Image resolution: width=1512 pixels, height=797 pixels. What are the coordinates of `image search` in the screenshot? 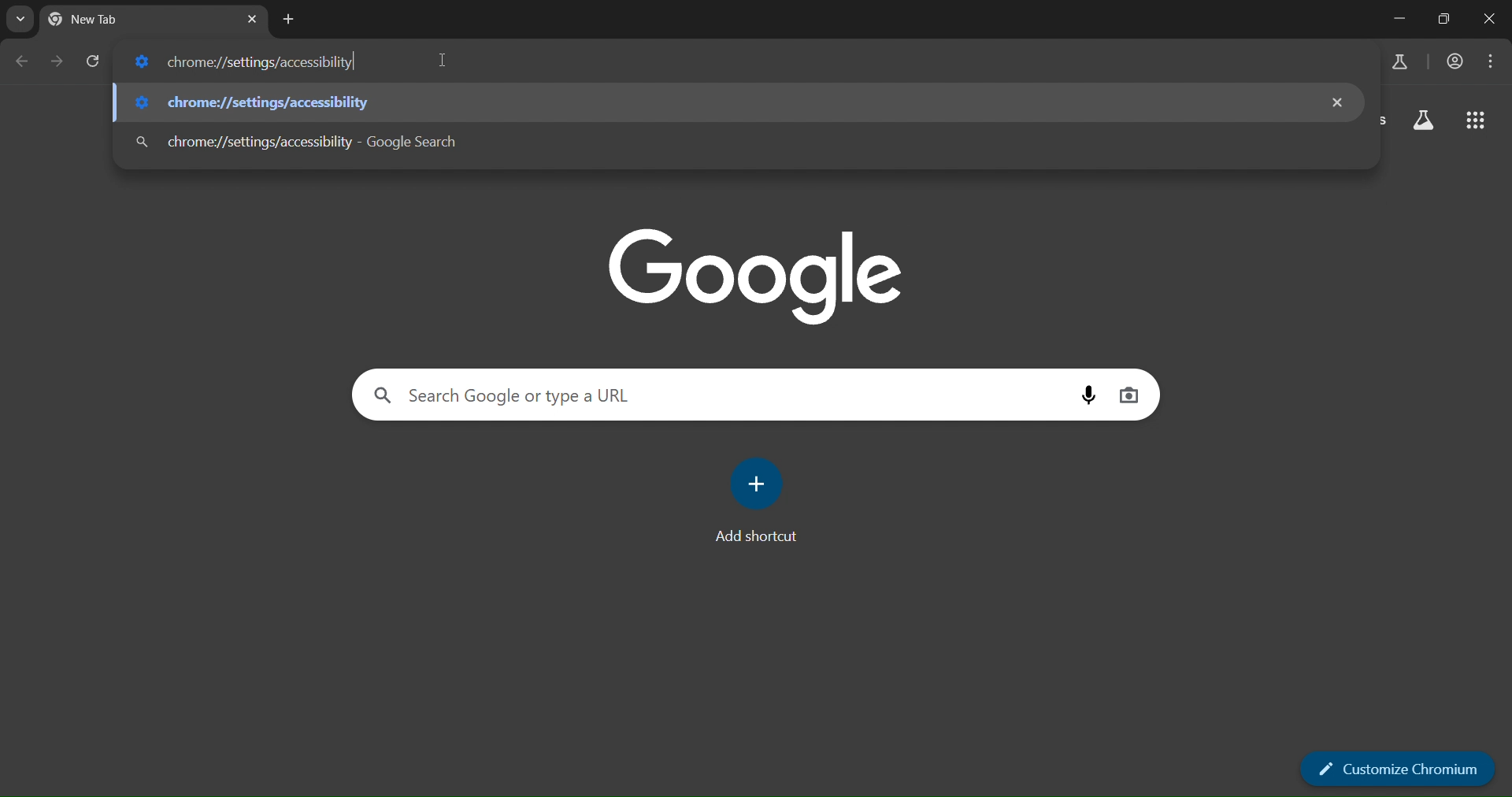 It's located at (1128, 395).